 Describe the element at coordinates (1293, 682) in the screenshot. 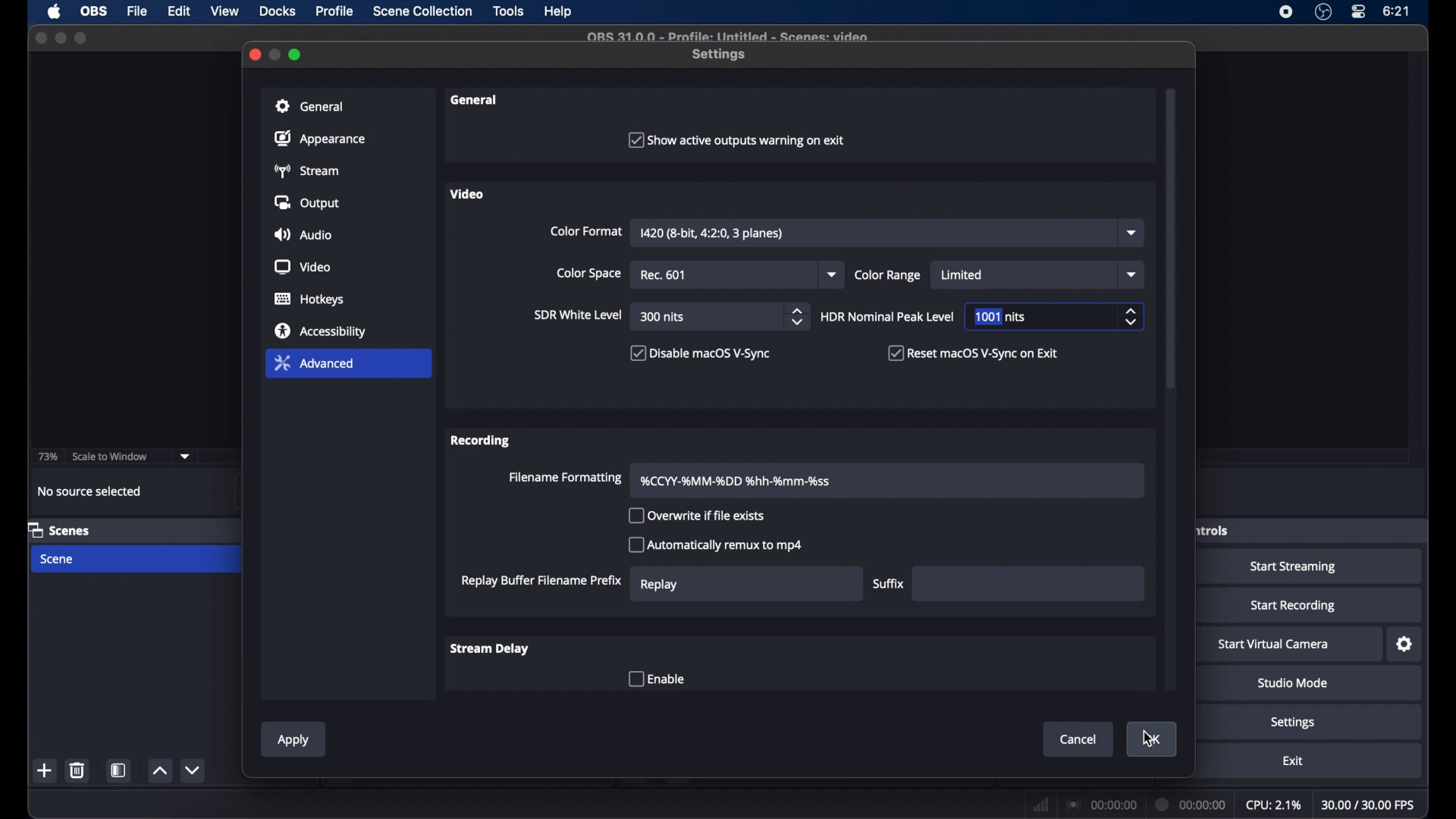

I see `studio mode` at that location.